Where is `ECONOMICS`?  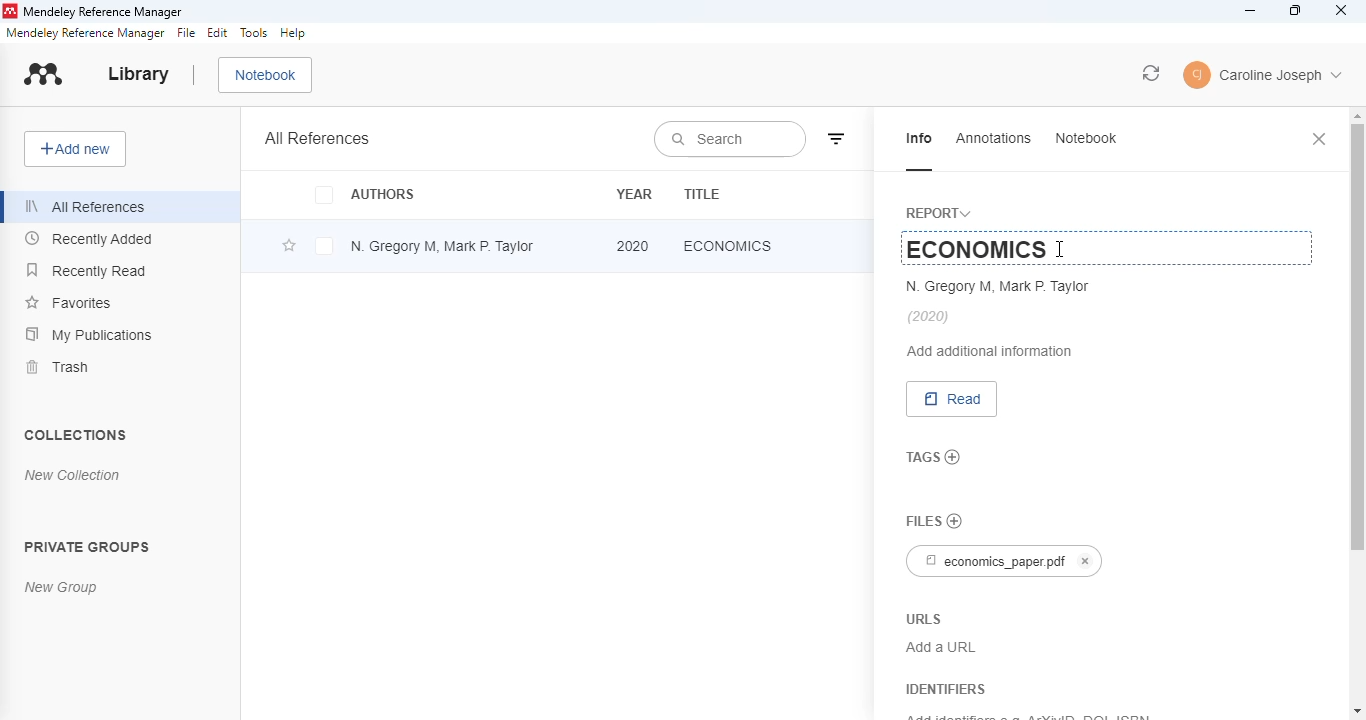
ECONOMICS is located at coordinates (977, 248).